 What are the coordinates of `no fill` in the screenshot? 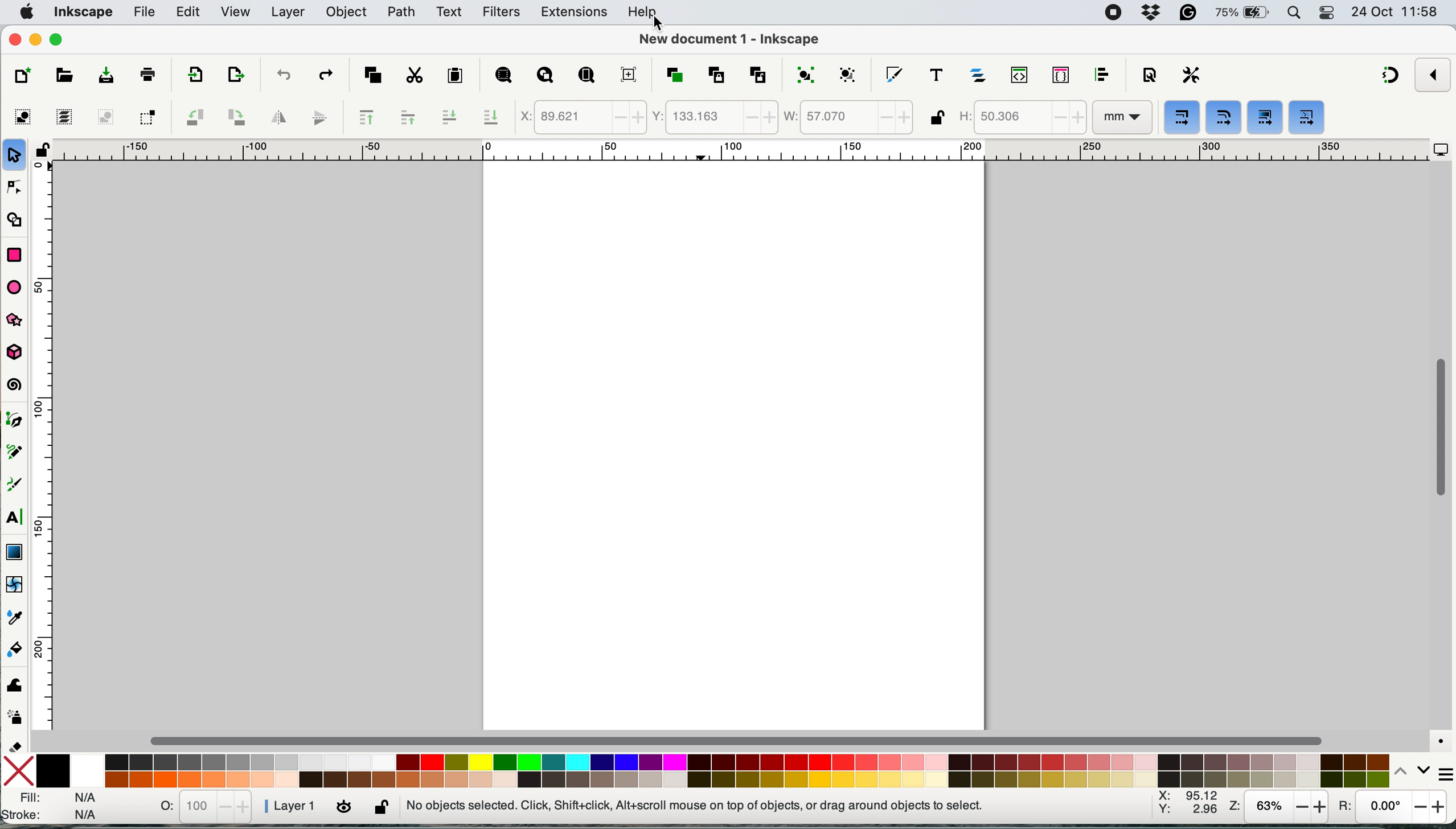 It's located at (17, 771).